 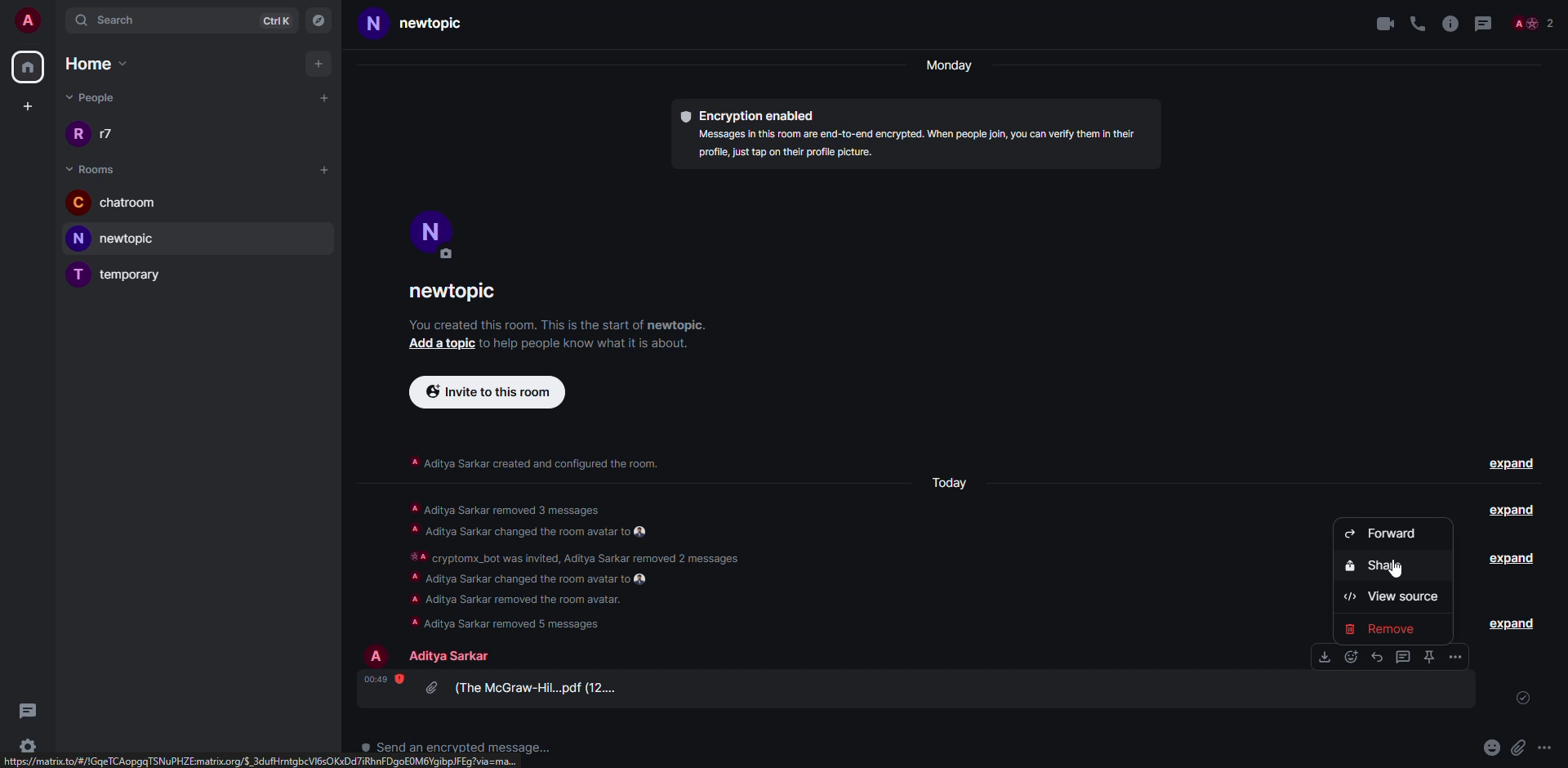 What do you see at coordinates (327, 169) in the screenshot?
I see `add` at bounding box center [327, 169].